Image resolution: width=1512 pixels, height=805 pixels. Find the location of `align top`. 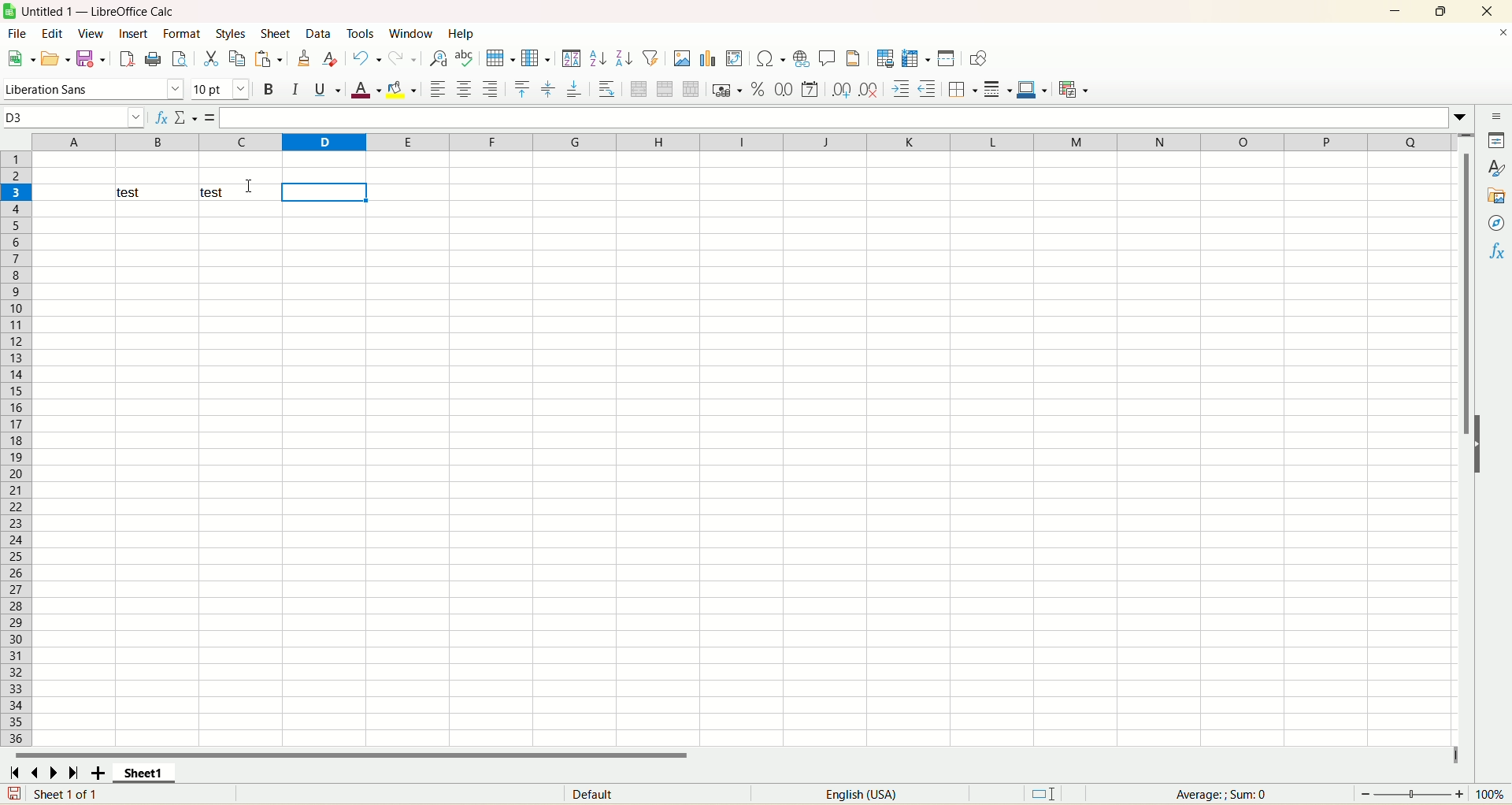

align top is located at coordinates (522, 89).